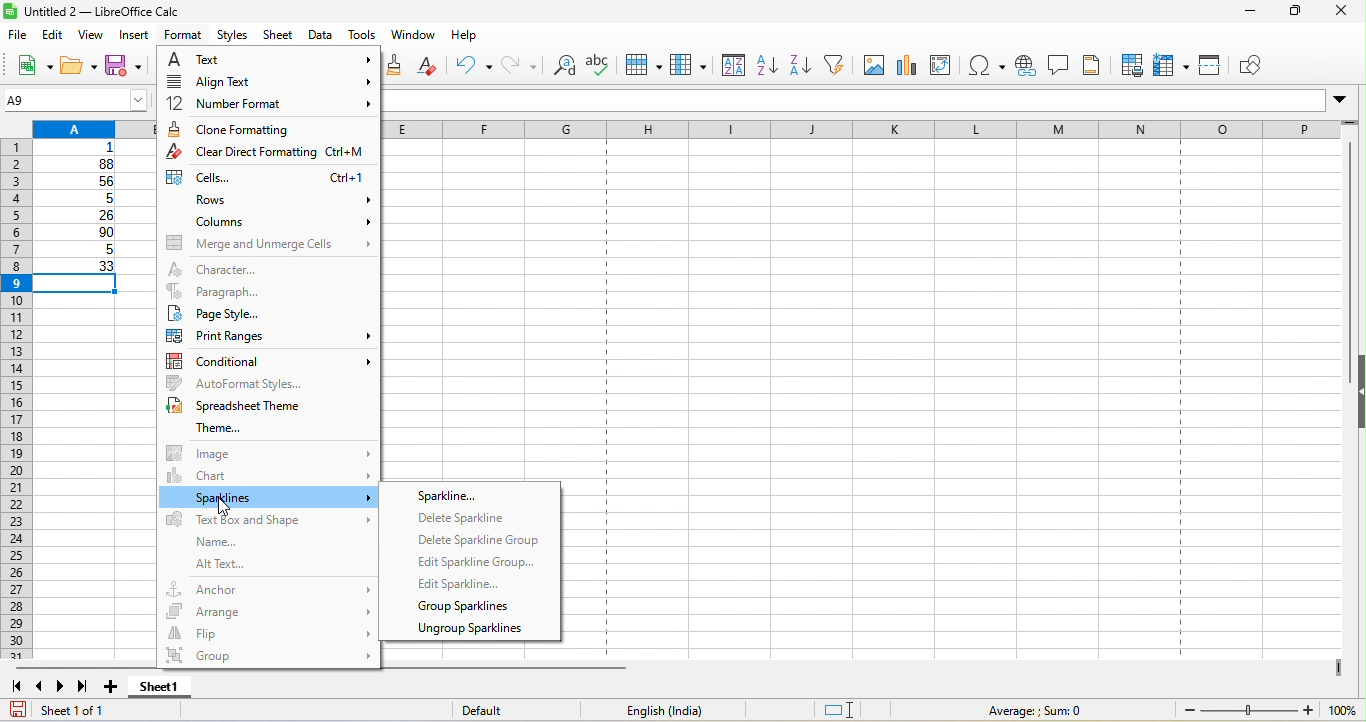 The width and height of the screenshot is (1366, 722). I want to click on flip, so click(269, 632).